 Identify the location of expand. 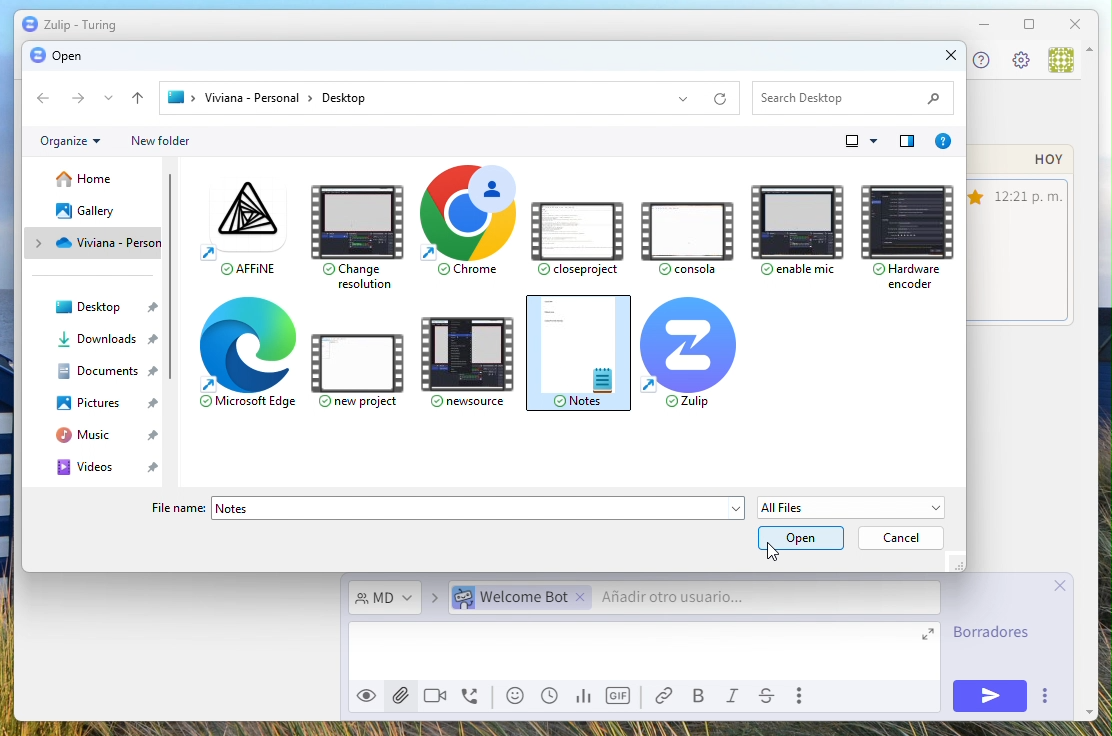
(930, 638).